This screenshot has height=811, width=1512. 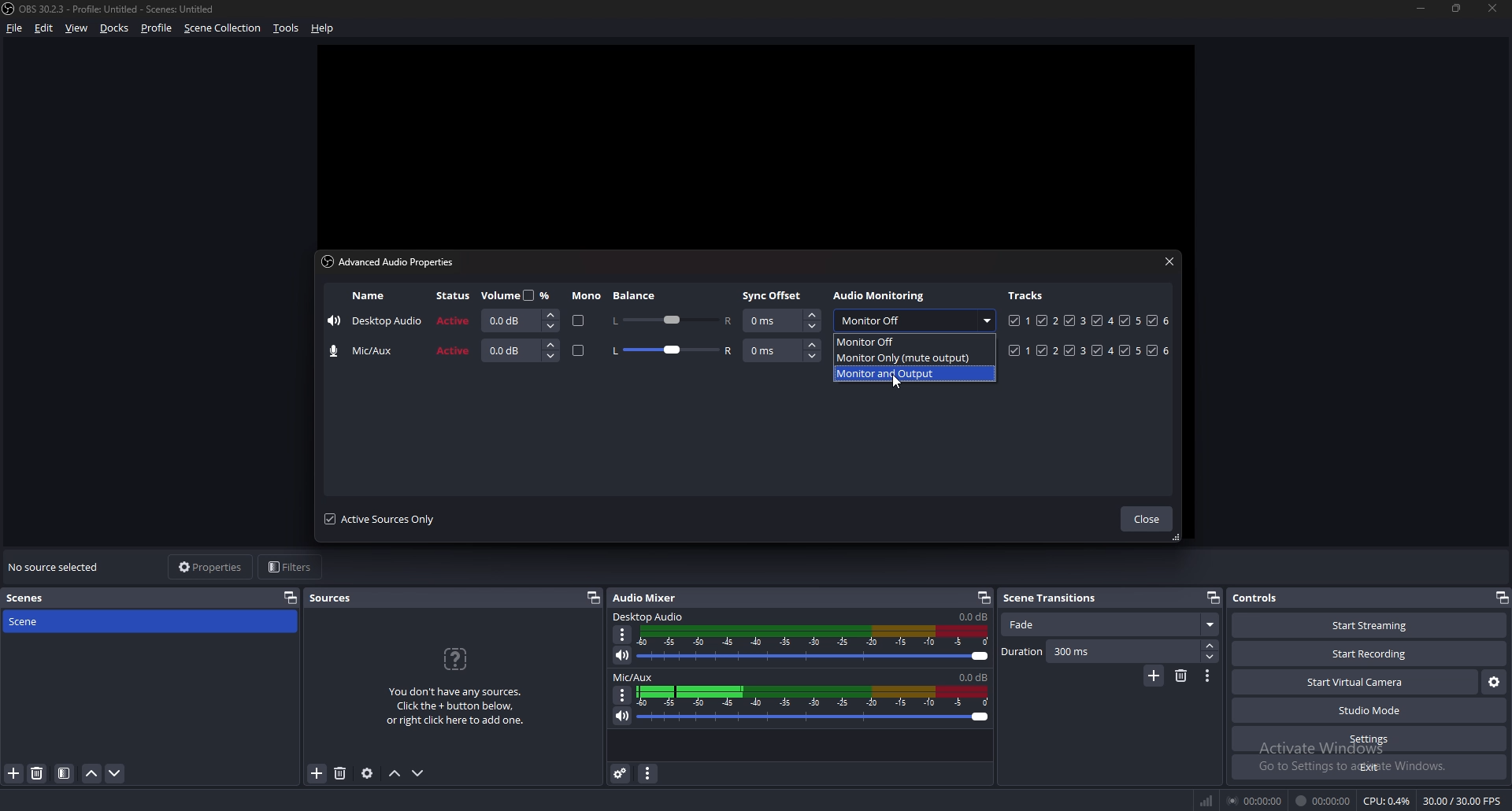 I want to click on decrease duration, so click(x=1209, y=657).